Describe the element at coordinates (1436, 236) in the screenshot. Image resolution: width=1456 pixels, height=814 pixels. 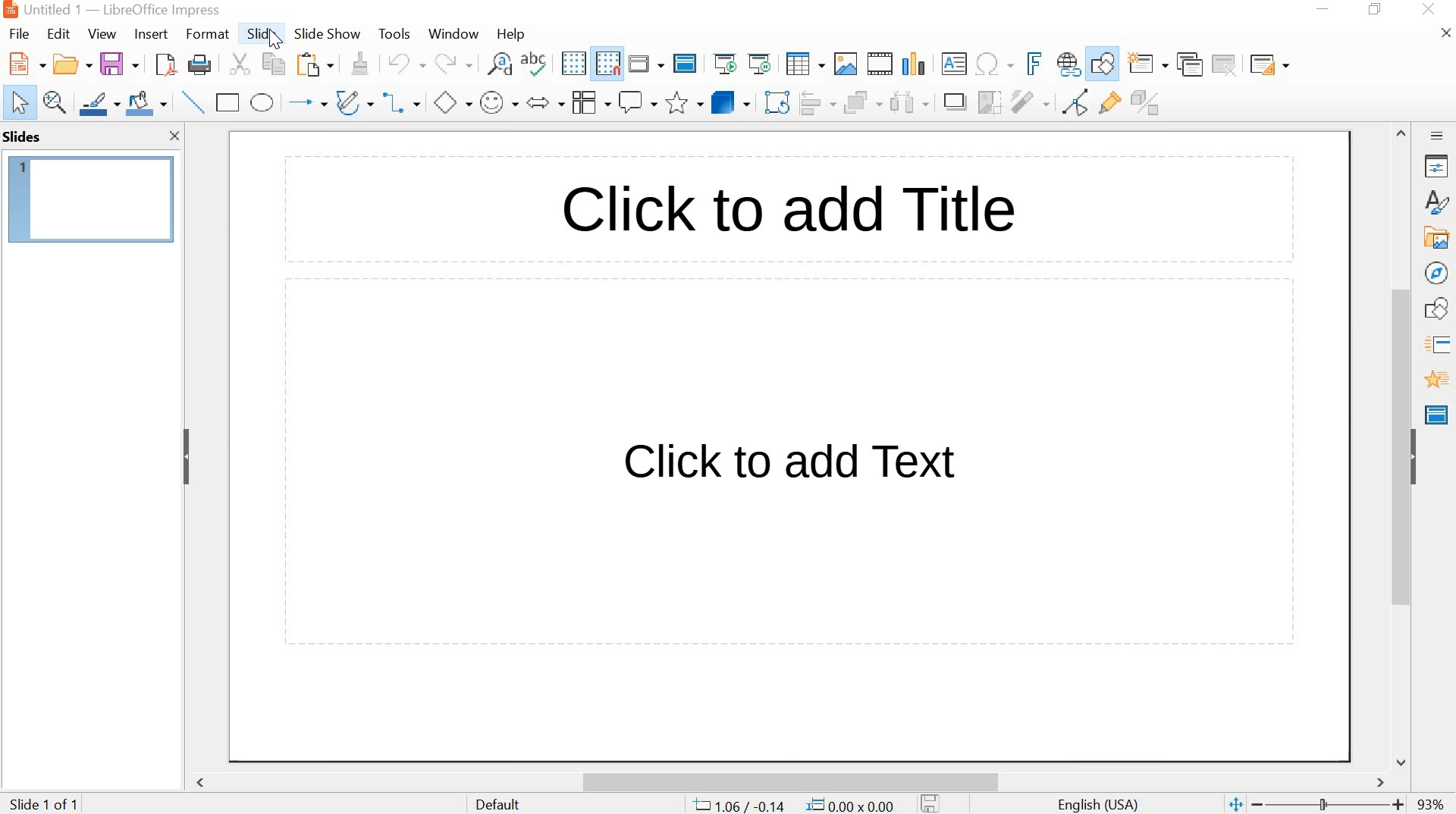
I see `GALLERY` at that location.